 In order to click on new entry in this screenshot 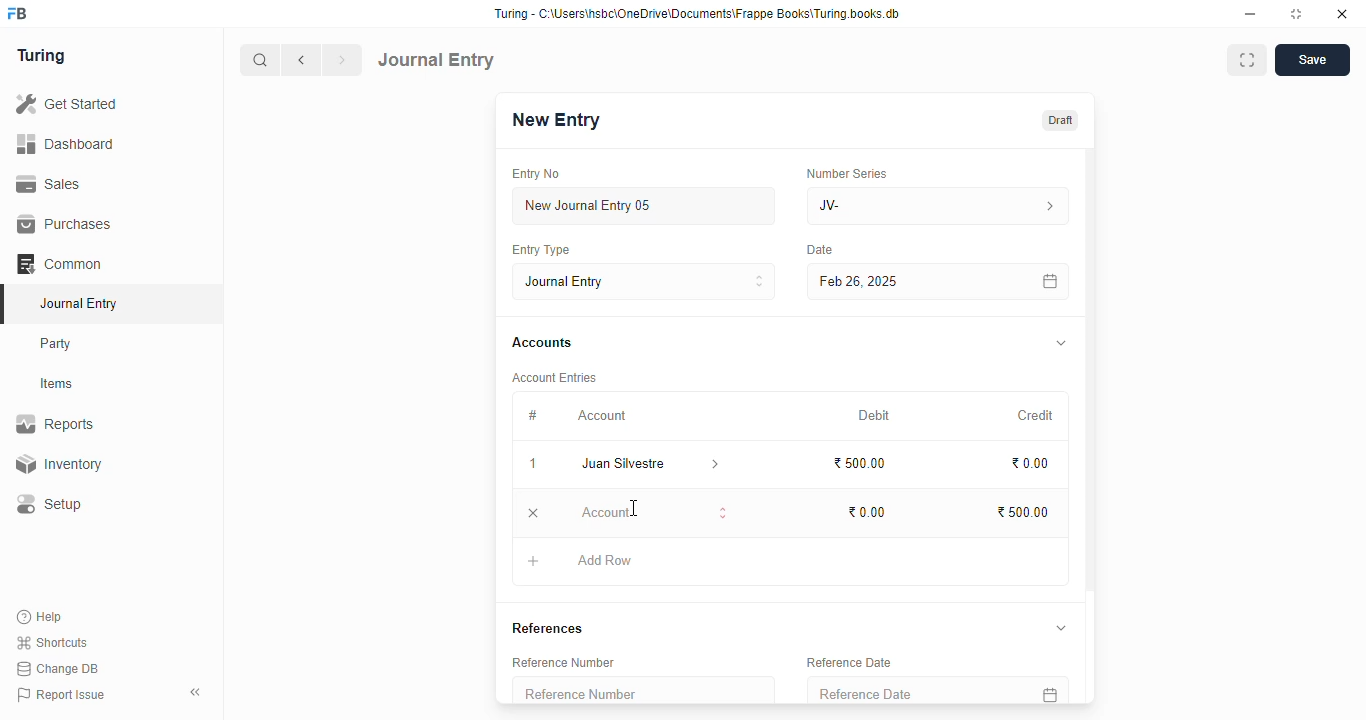, I will do `click(555, 120)`.